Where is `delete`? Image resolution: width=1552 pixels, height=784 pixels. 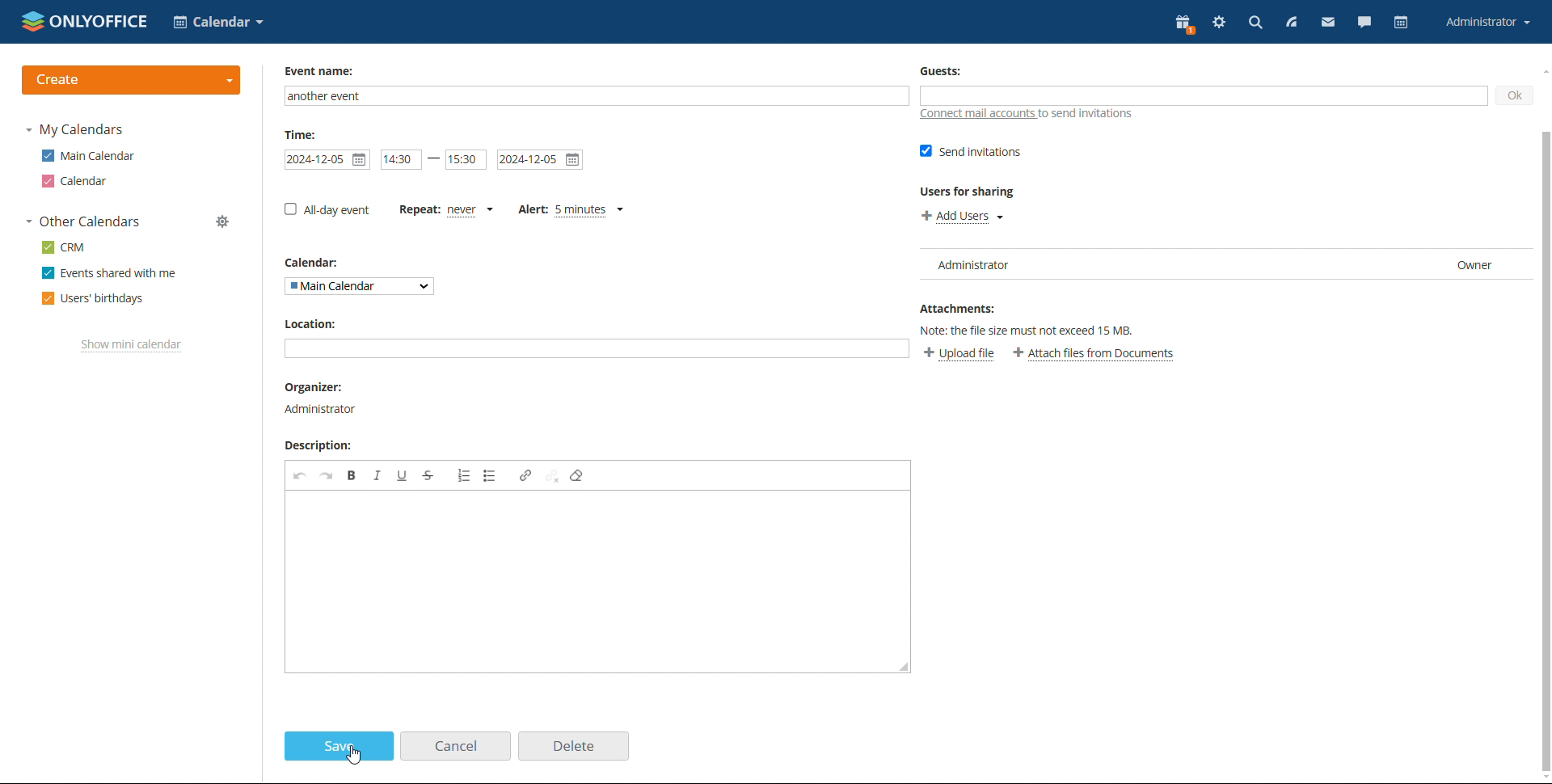
delete is located at coordinates (572, 746).